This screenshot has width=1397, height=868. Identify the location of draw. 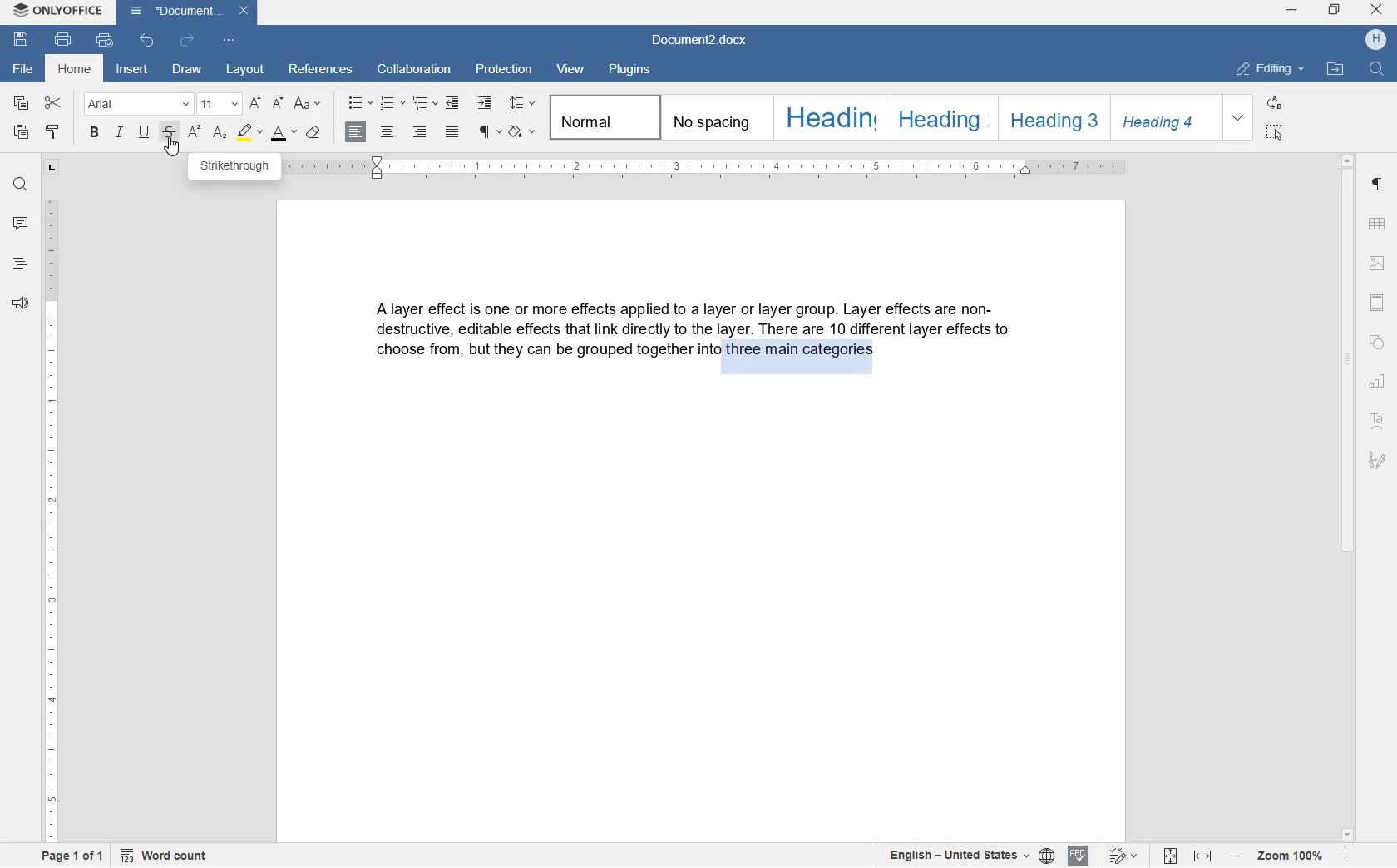
(187, 71).